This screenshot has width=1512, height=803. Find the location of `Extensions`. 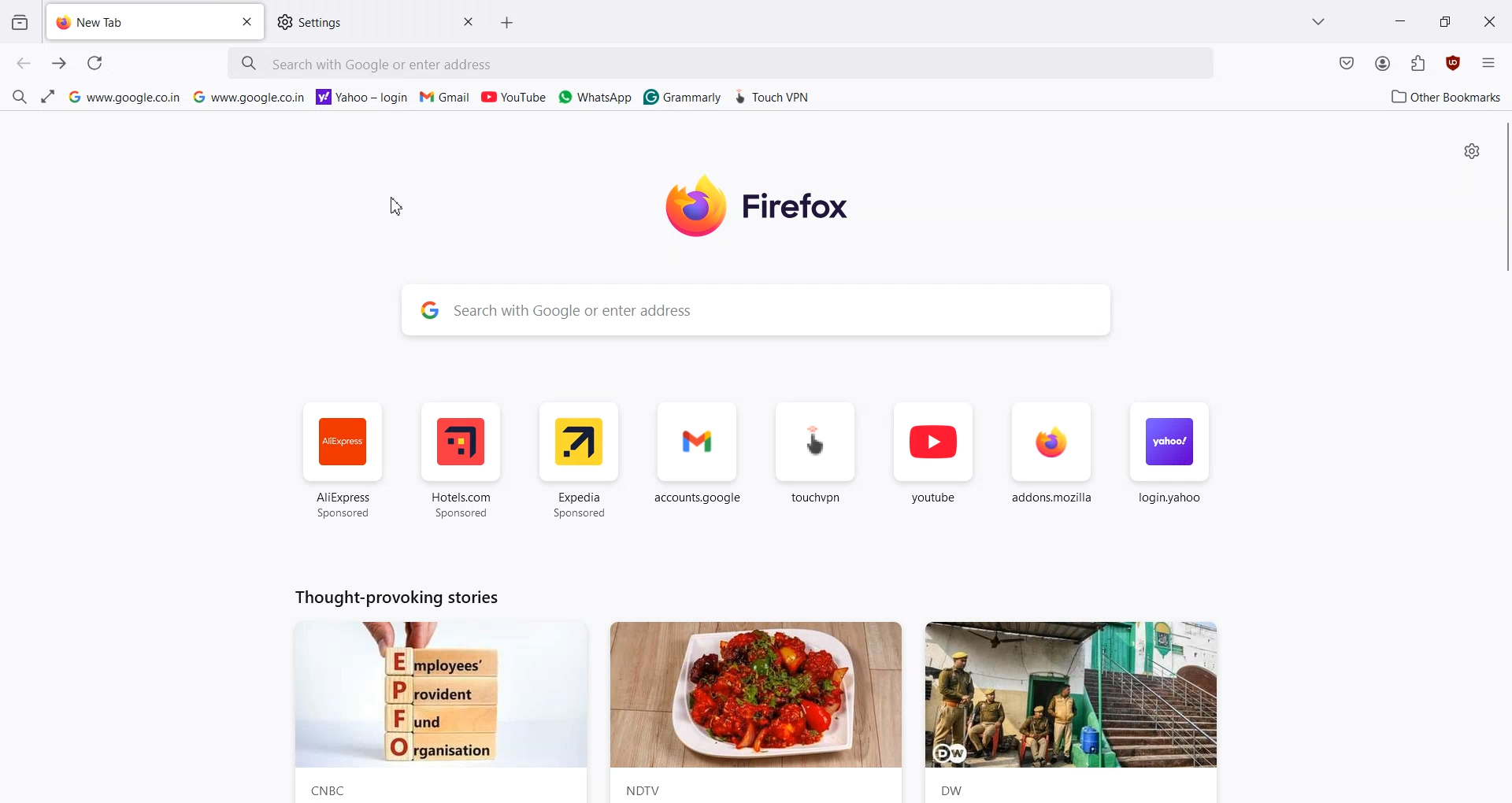

Extensions is located at coordinates (1418, 63).